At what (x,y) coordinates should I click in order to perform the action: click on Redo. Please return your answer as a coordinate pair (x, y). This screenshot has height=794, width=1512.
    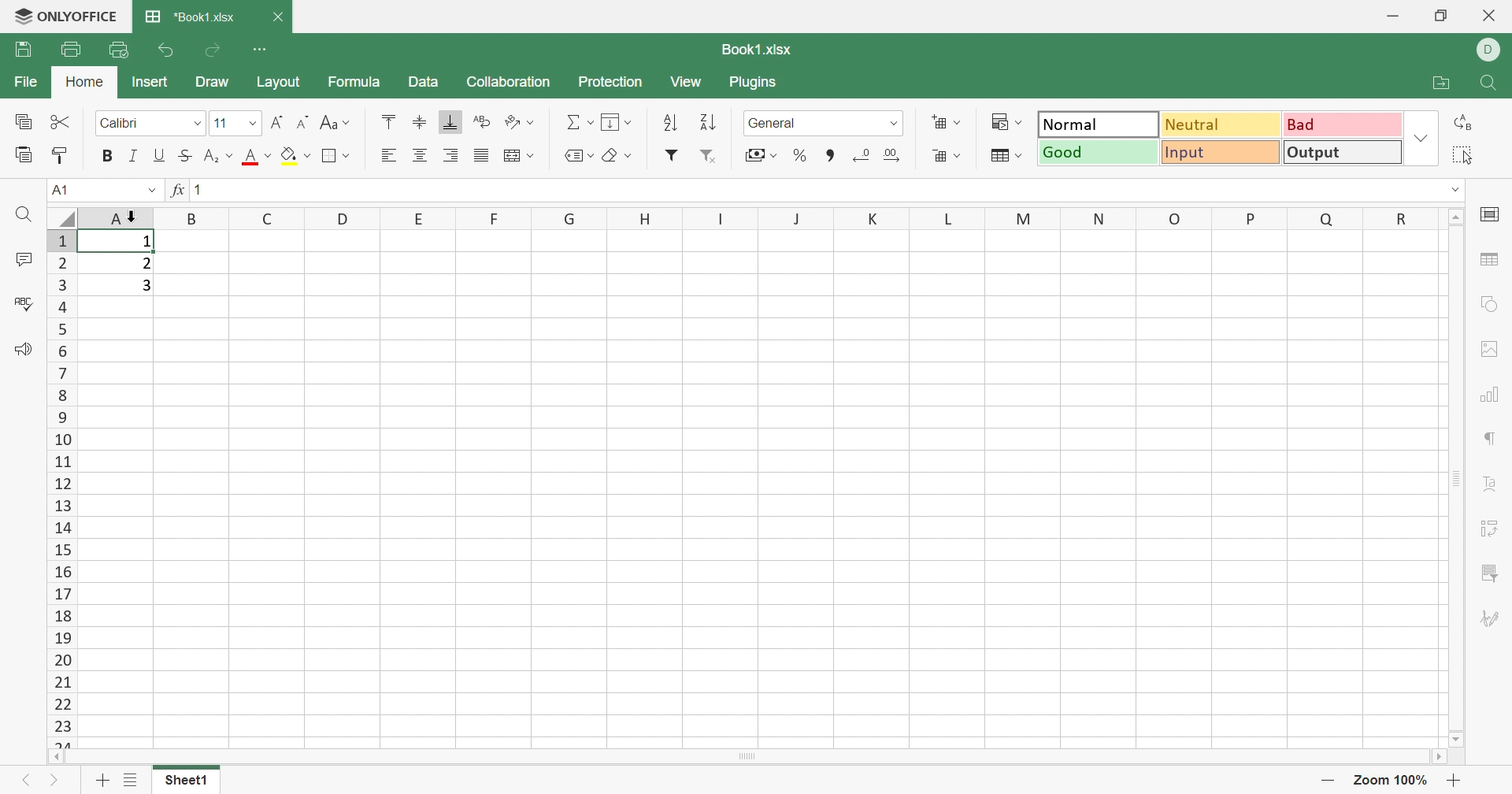
    Looking at the image, I should click on (215, 50).